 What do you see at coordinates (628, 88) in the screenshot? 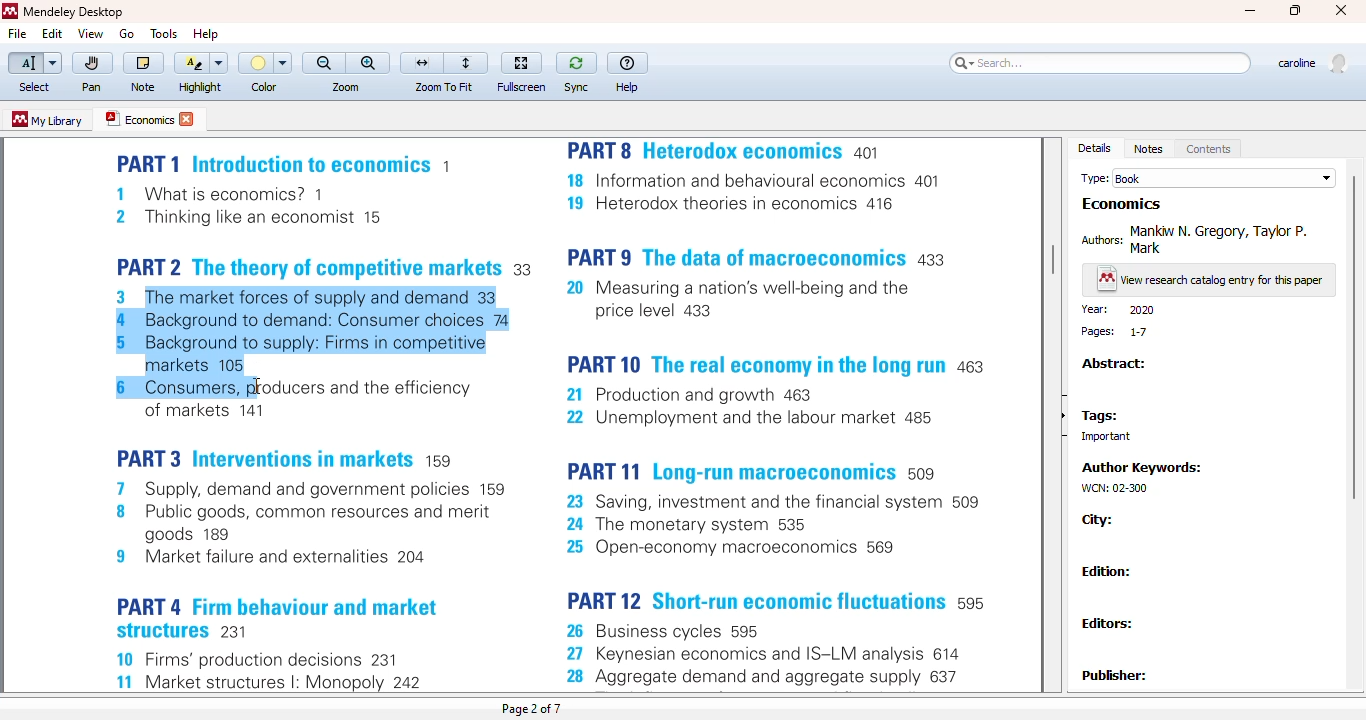
I see `help` at bounding box center [628, 88].